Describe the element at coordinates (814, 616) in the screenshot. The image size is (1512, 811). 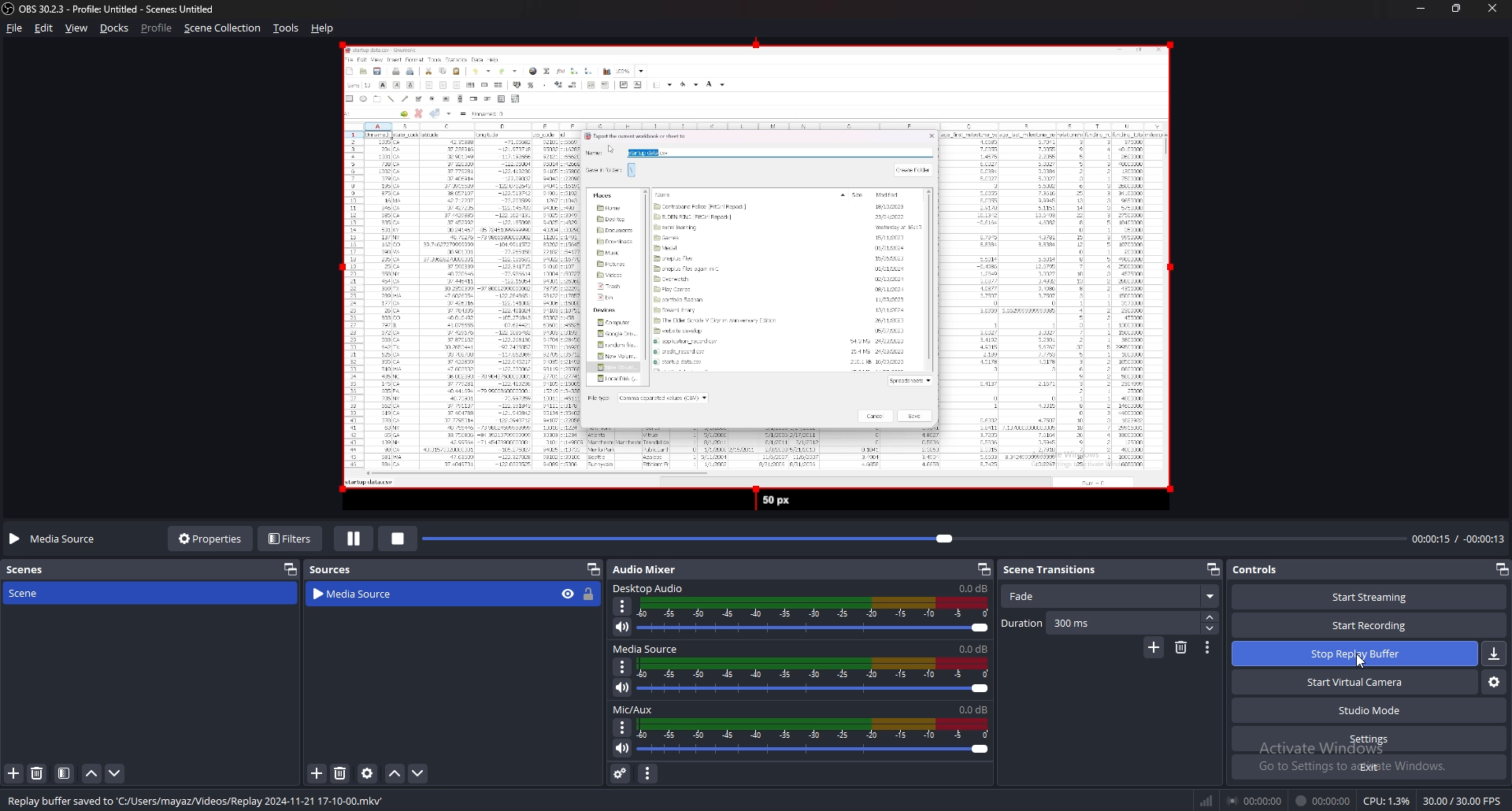
I see `desktop audio adjust` at that location.